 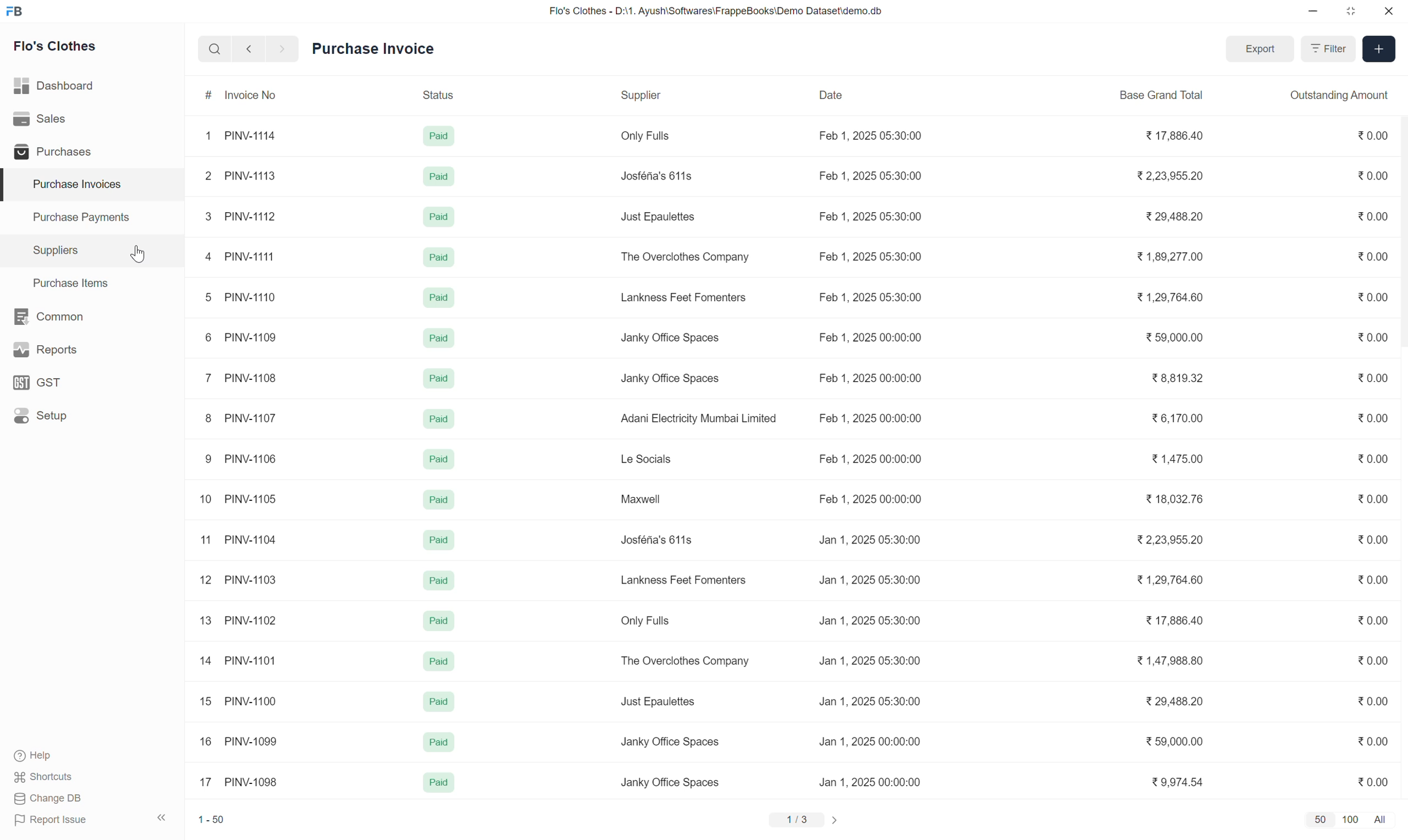 I want to click on 29,488.20, so click(x=1176, y=216).